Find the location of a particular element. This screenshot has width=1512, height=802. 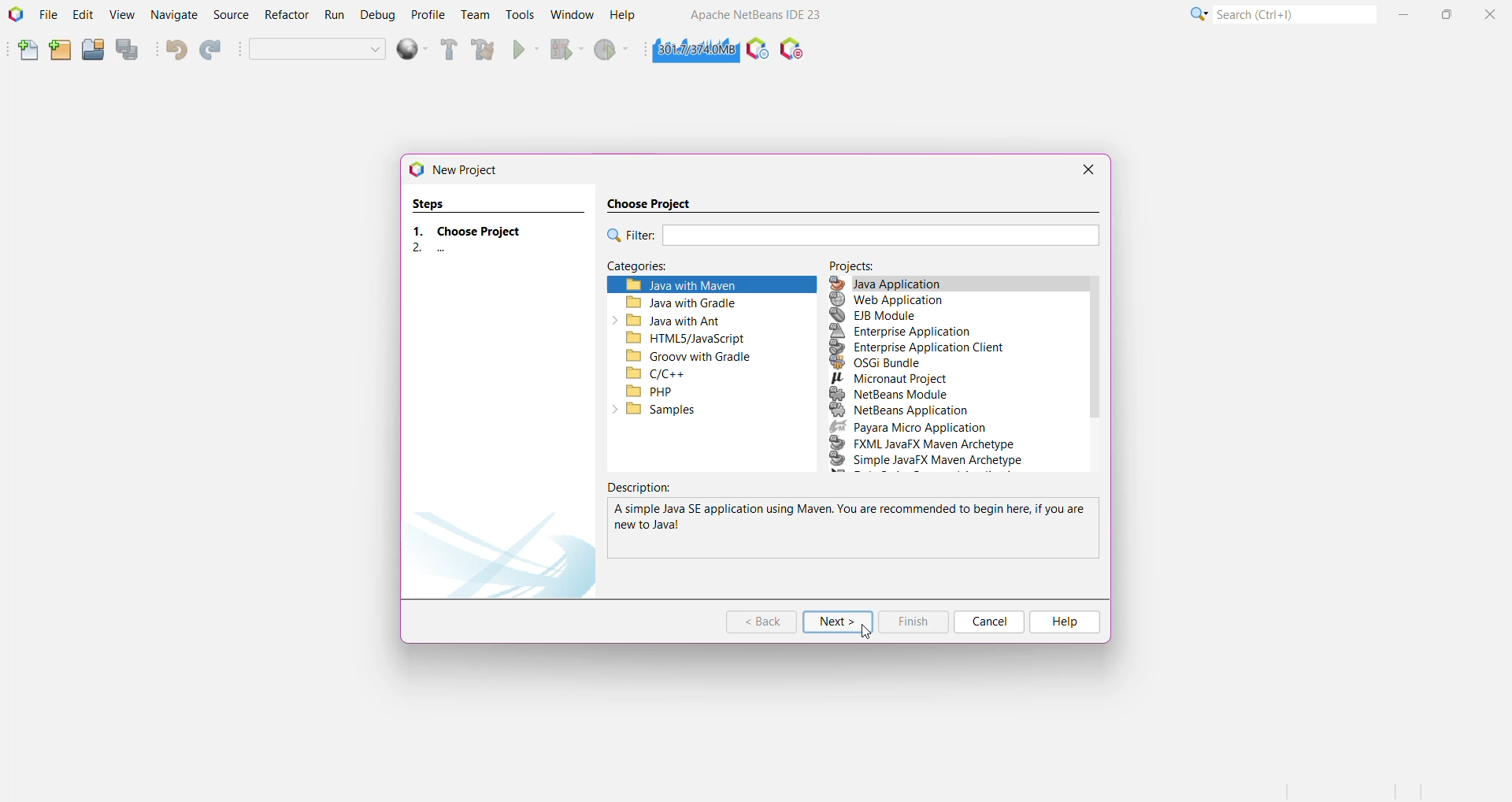

Choose Project is located at coordinates (482, 230).